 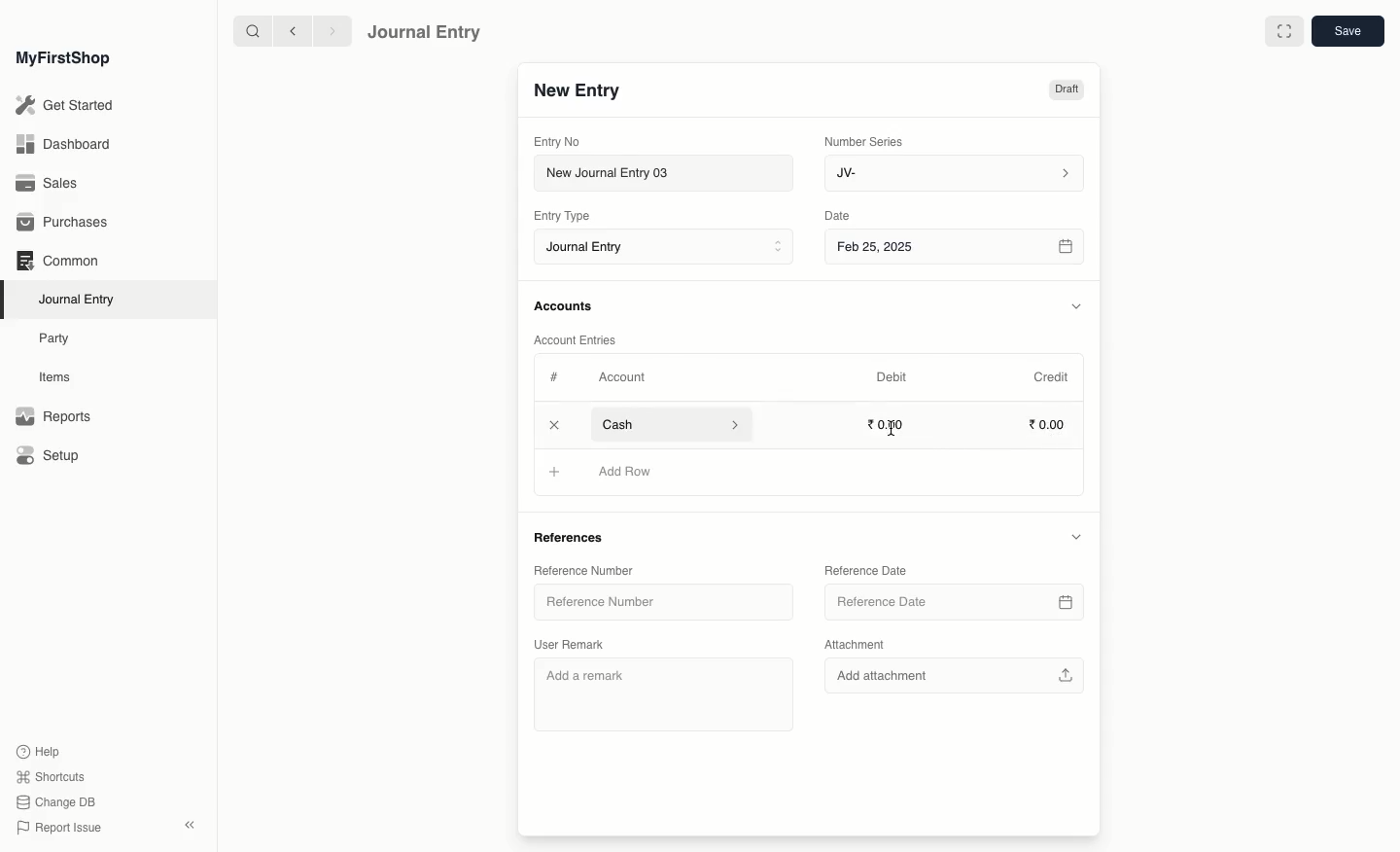 I want to click on Hide, so click(x=1077, y=306).